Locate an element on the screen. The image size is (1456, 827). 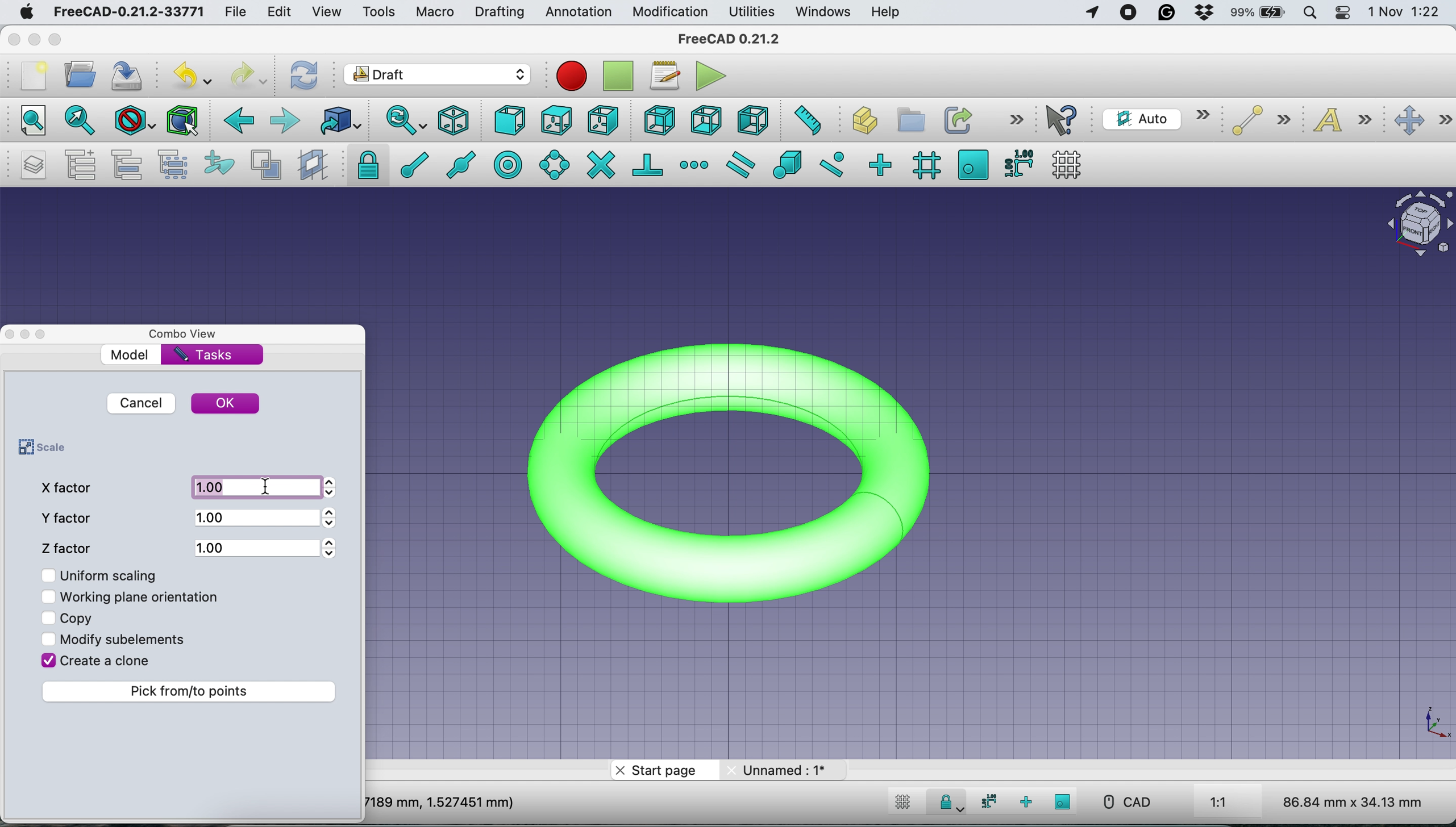
y factor is located at coordinates (70, 517).